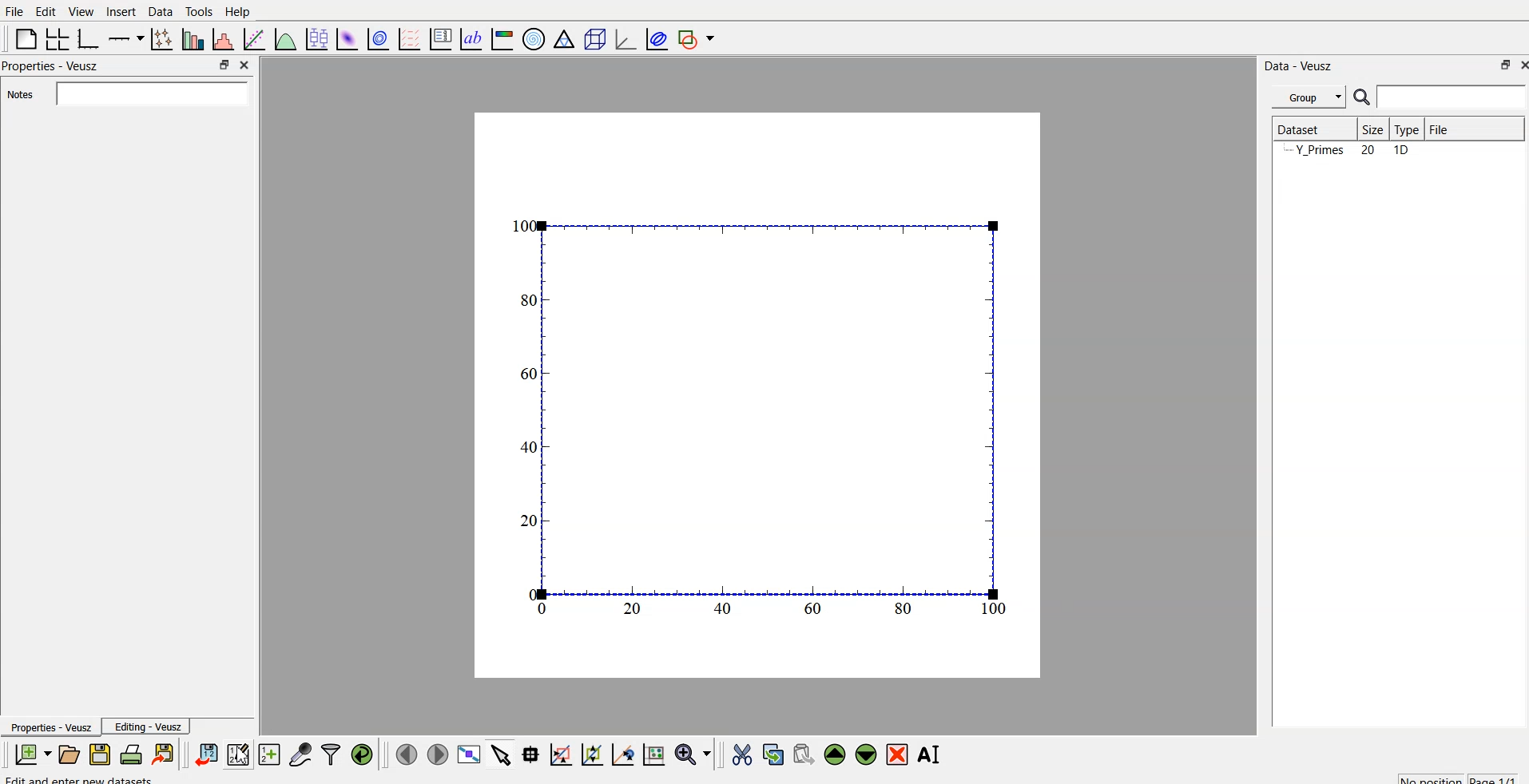 Image resolution: width=1529 pixels, height=784 pixels. Describe the element at coordinates (158, 38) in the screenshot. I see `plot points` at that location.